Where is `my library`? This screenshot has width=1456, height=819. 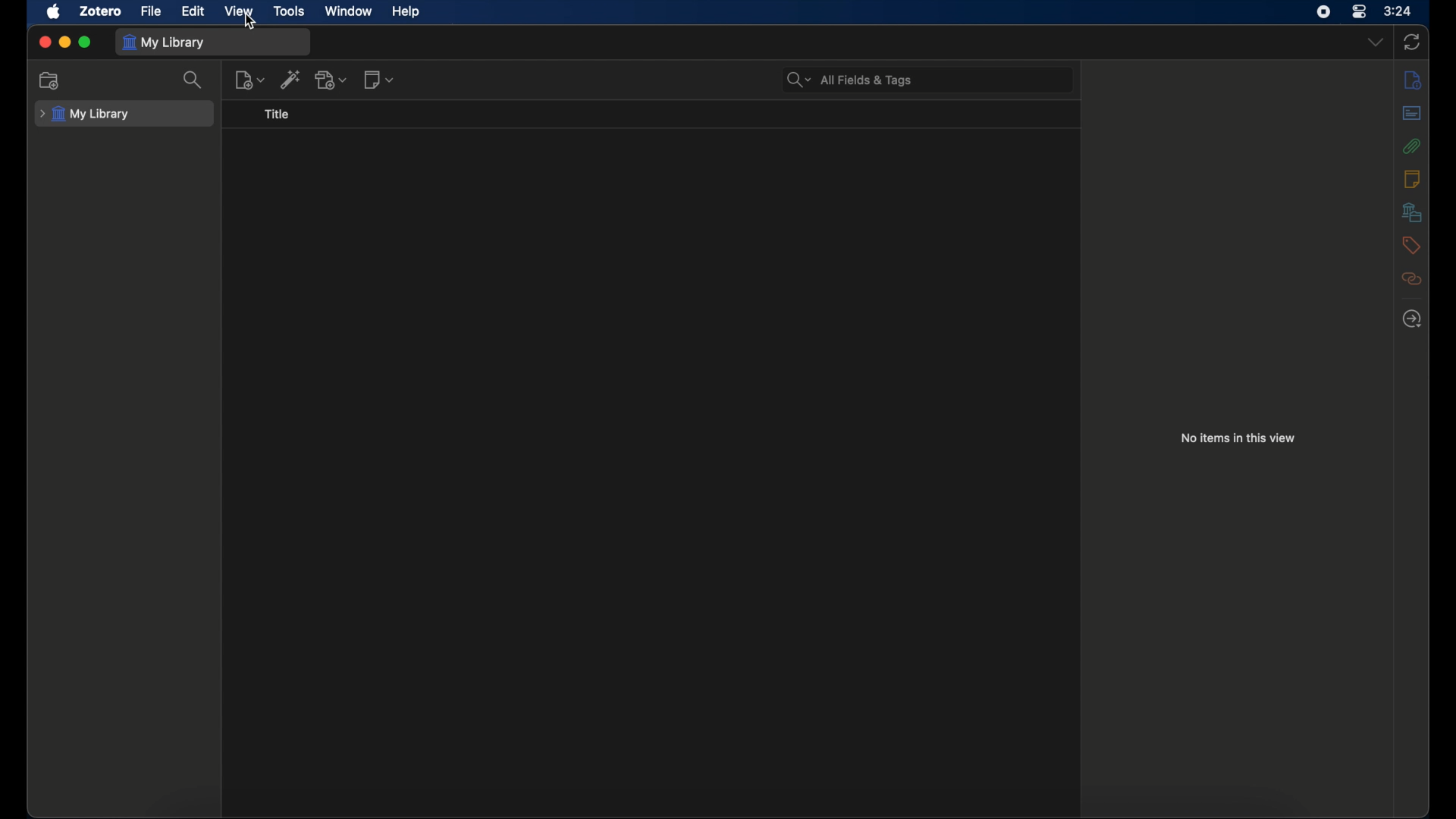
my library is located at coordinates (165, 42).